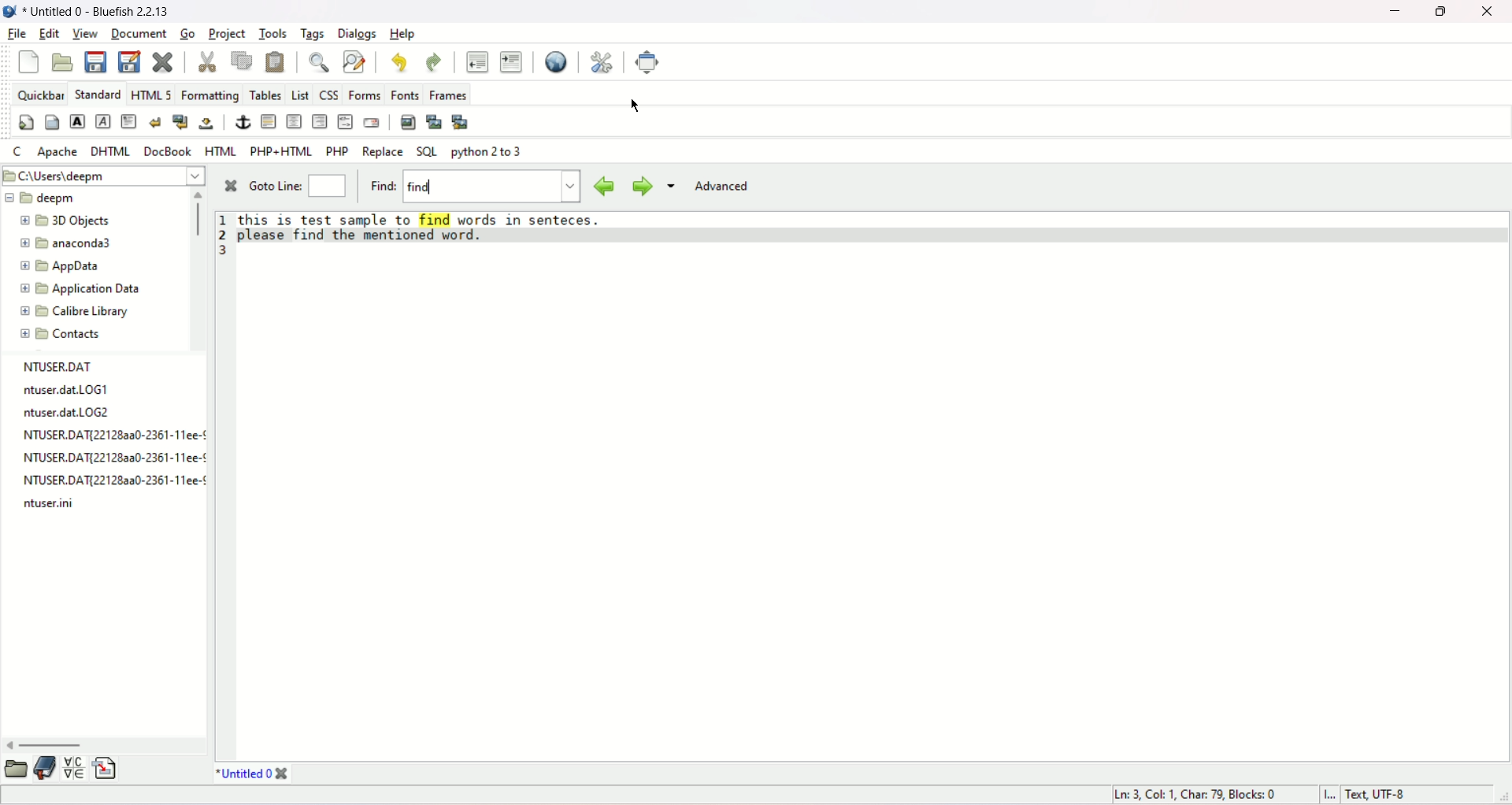 The image size is (1512, 805). Describe the element at coordinates (155, 122) in the screenshot. I see `break` at that location.